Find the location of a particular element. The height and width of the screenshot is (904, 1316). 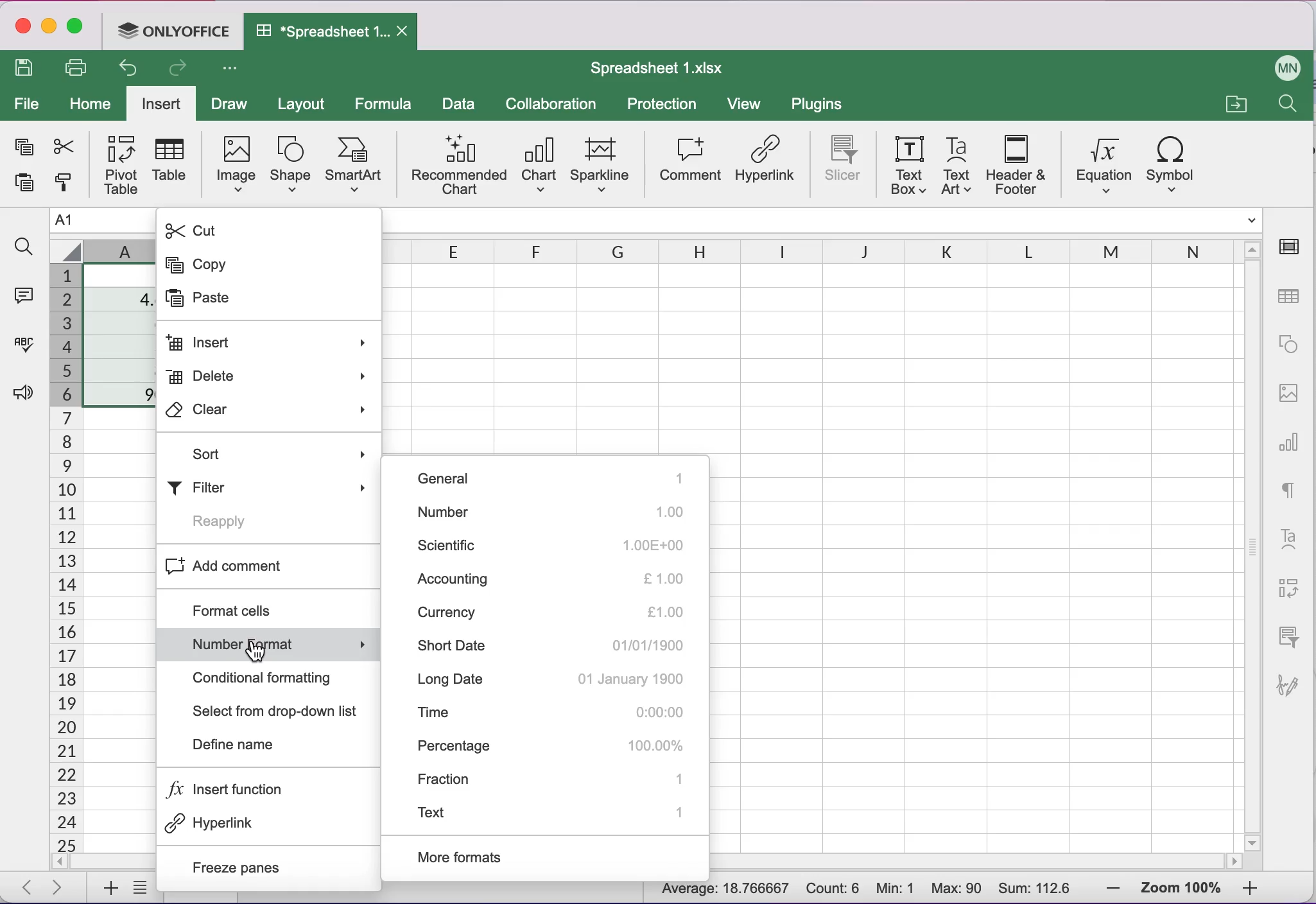

Filter is located at coordinates (274, 483).